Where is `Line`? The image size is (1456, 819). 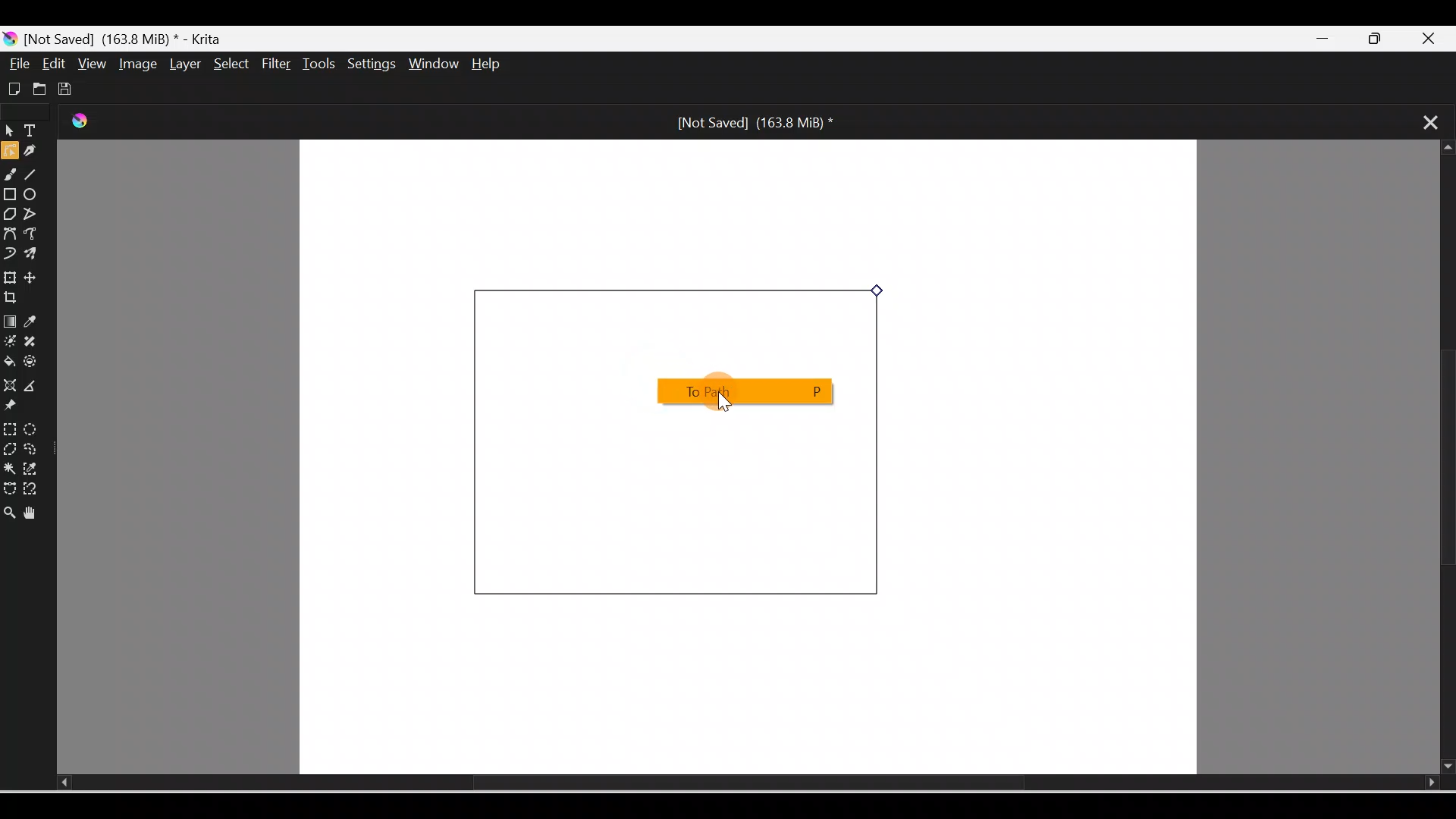 Line is located at coordinates (36, 177).